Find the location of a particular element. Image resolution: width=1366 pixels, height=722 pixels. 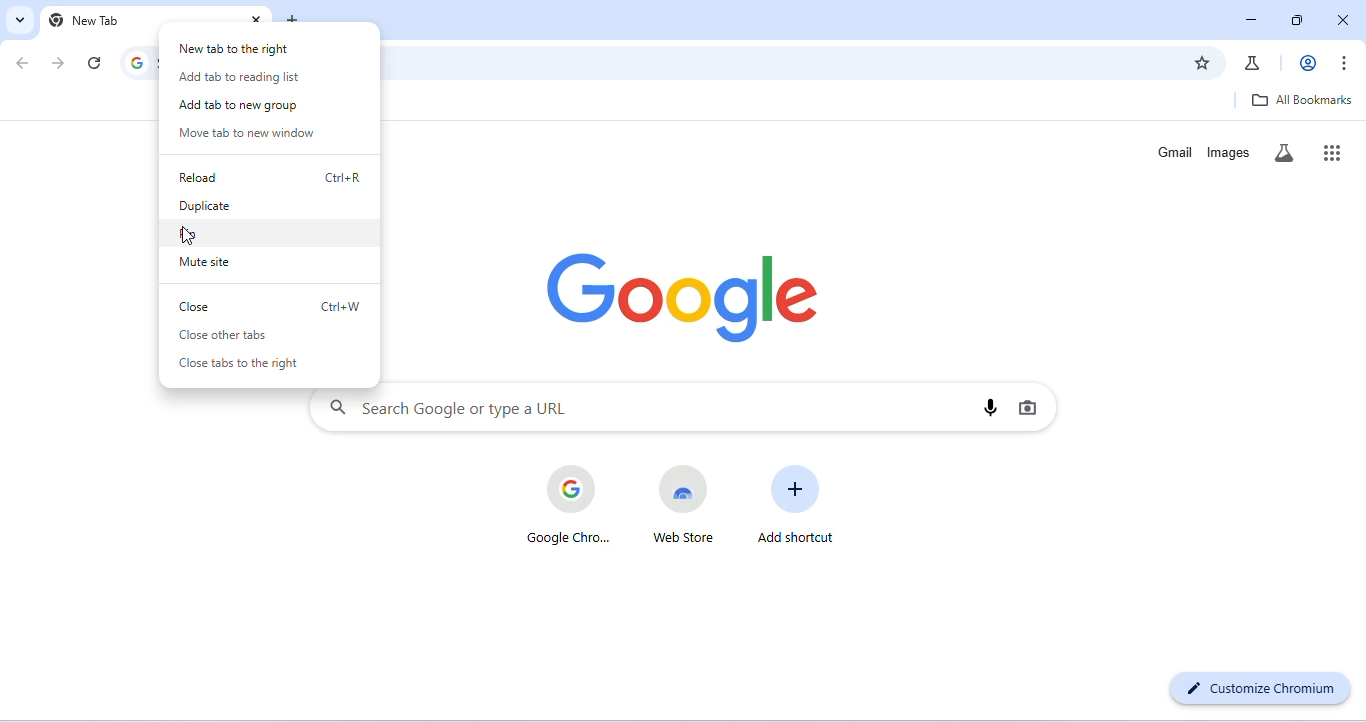

go back is located at coordinates (23, 63).